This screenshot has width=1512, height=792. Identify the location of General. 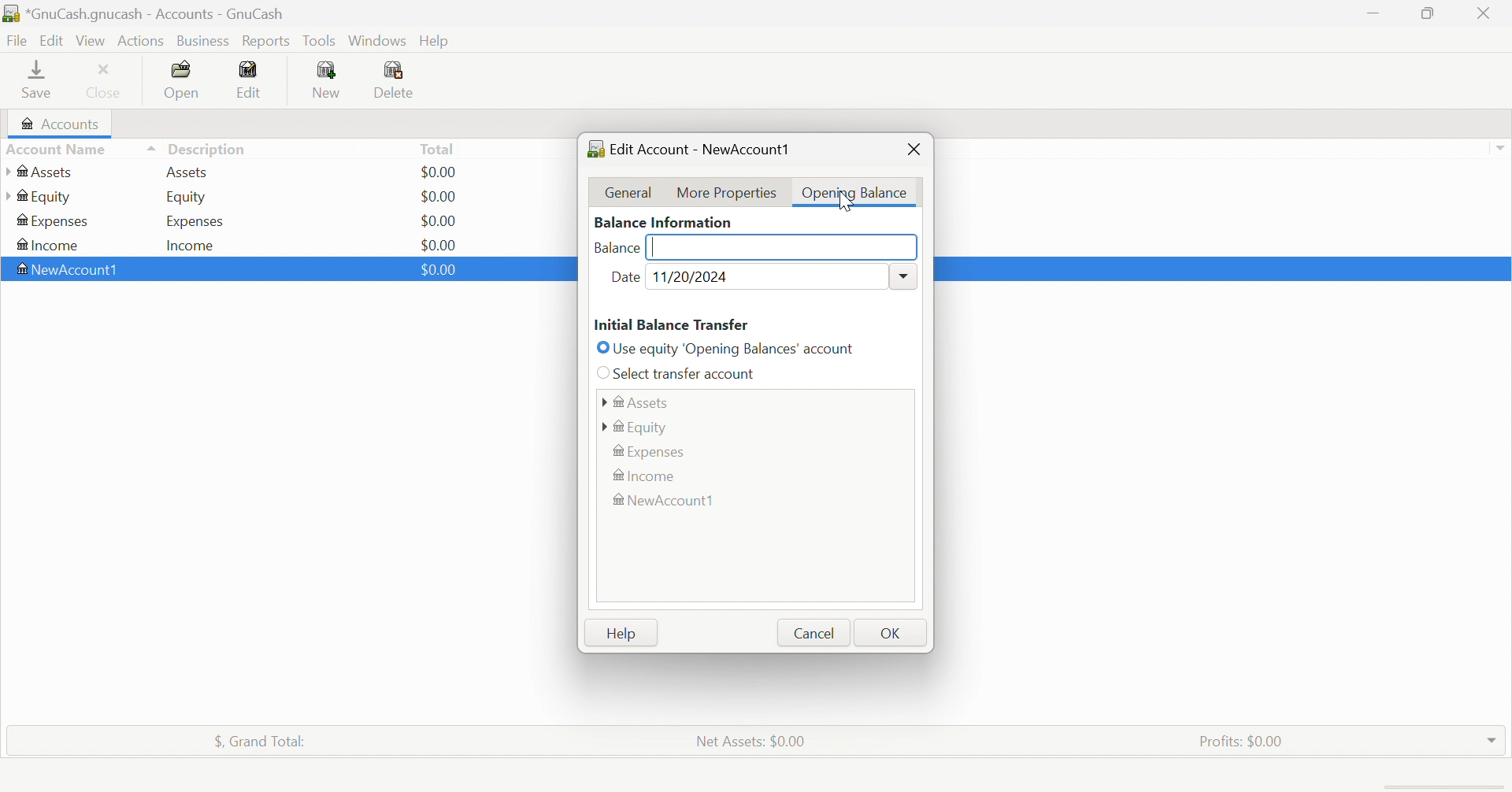
(631, 191).